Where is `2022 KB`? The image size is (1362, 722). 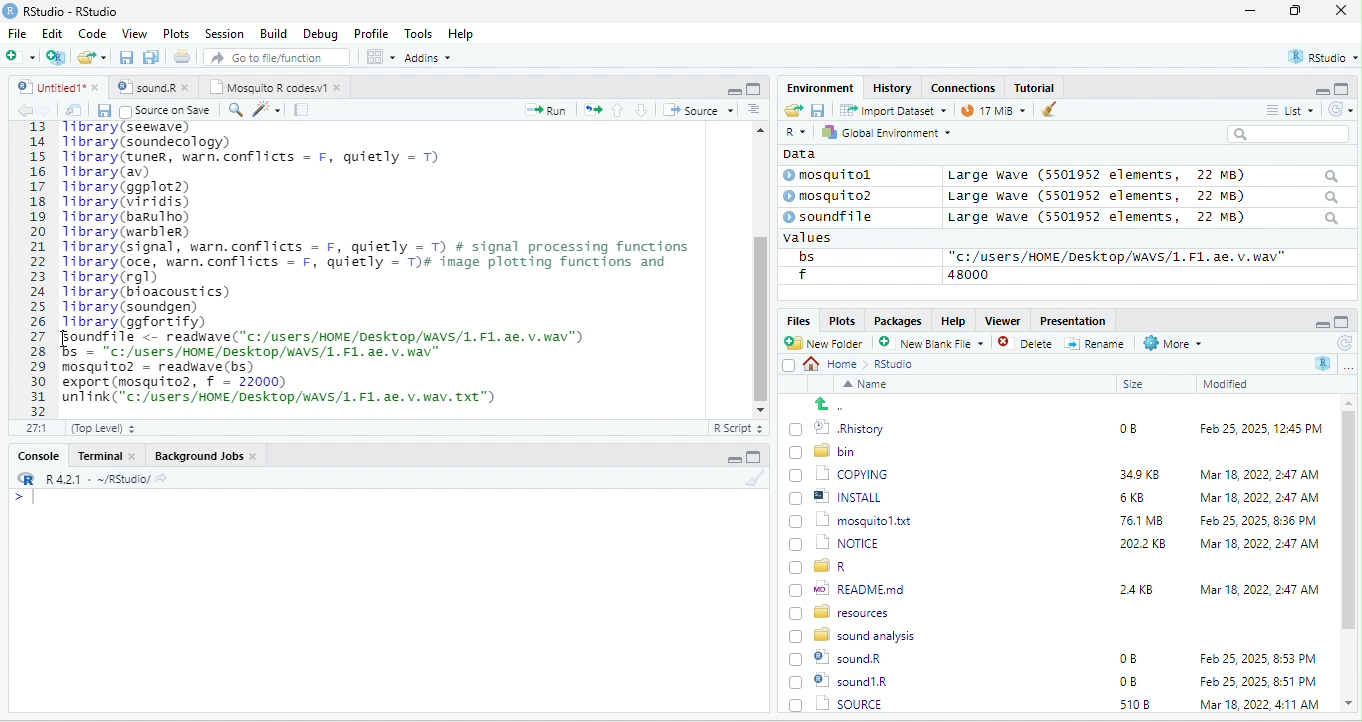
2022 KB is located at coordinates (1144, 545).